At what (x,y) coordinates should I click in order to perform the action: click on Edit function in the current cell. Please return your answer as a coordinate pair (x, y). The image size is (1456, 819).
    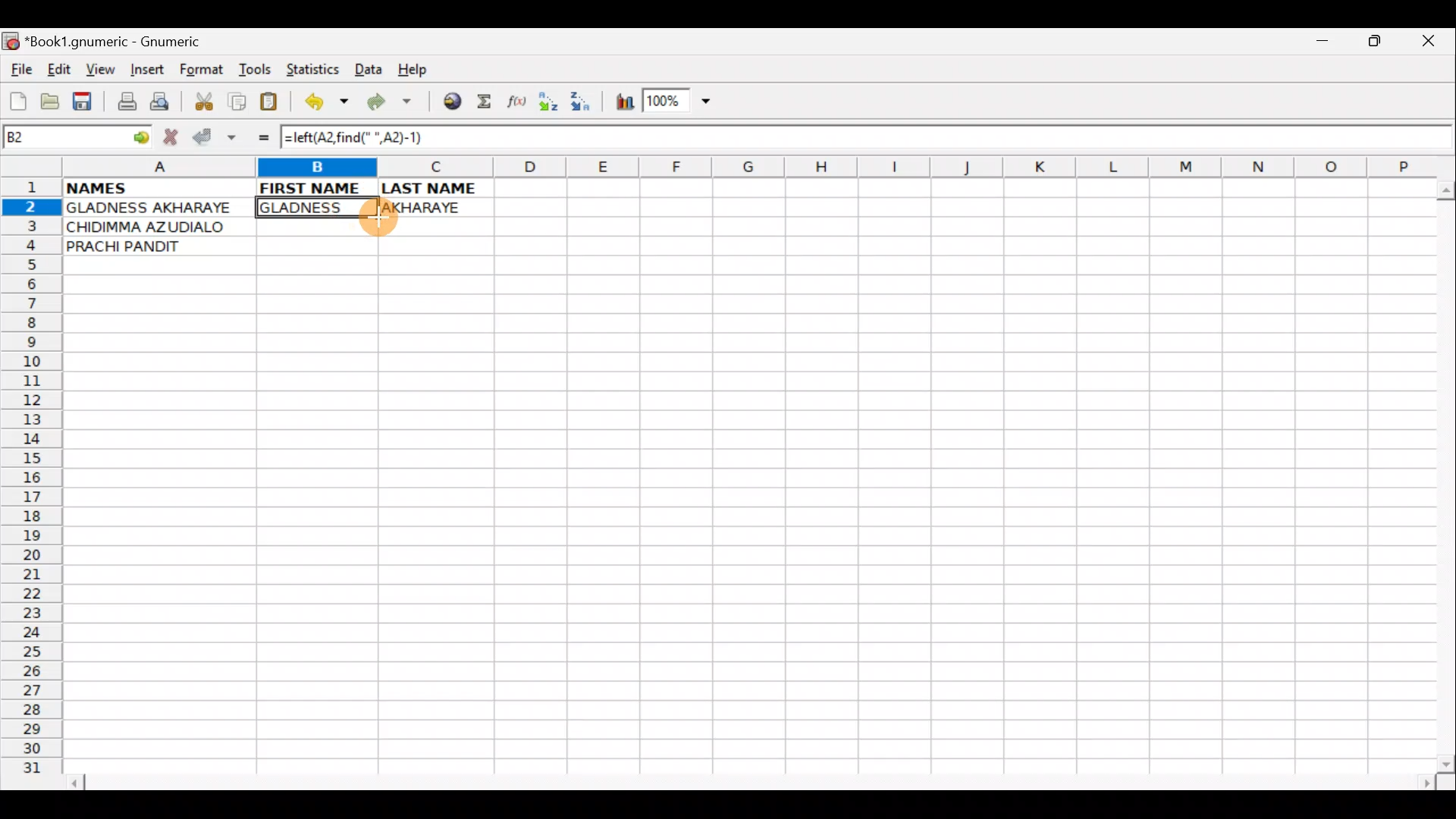
    Looking at the image, I should click on (519, 105).